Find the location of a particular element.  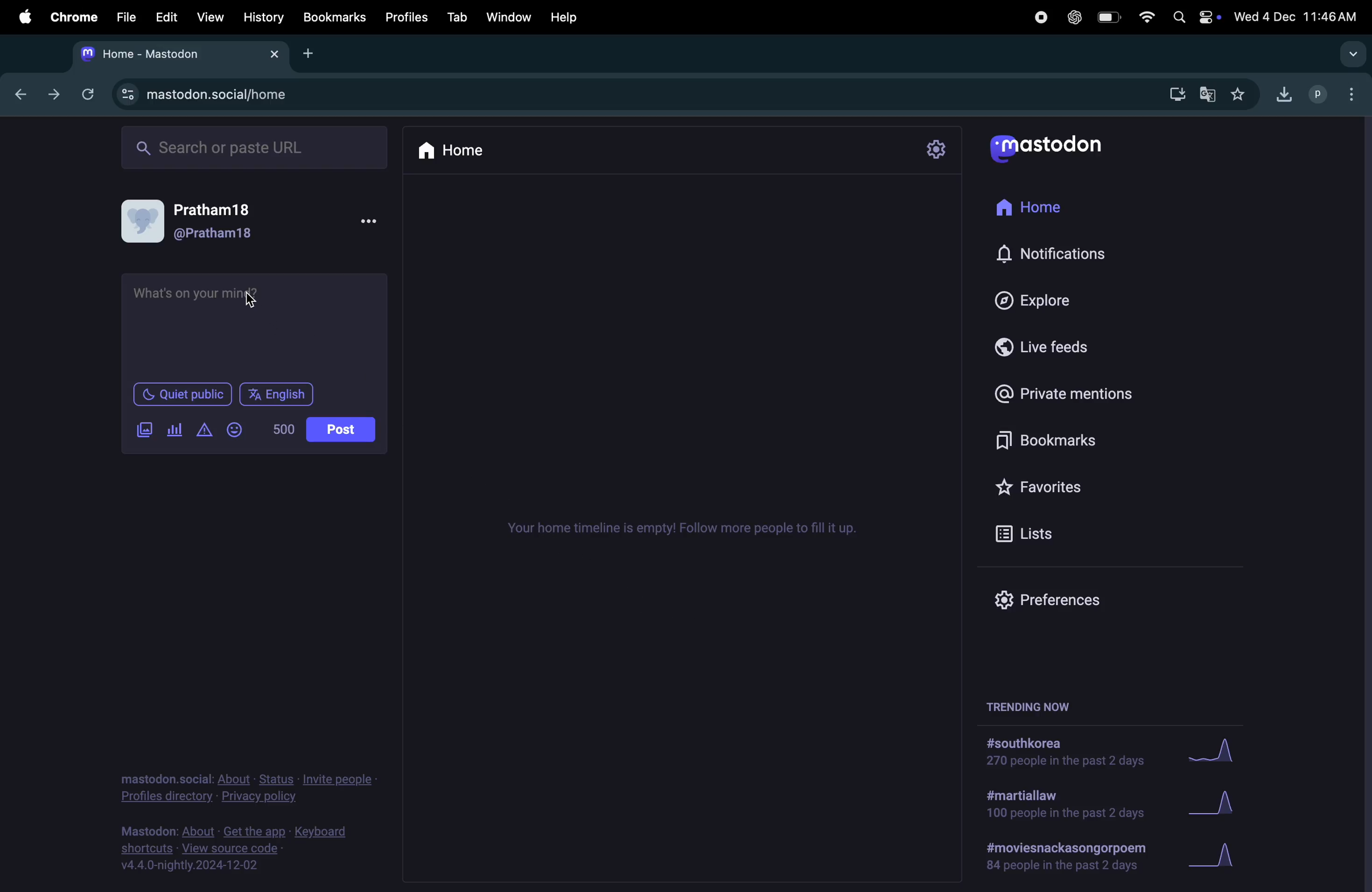

#south korea is located at coordinates (1062, 752).